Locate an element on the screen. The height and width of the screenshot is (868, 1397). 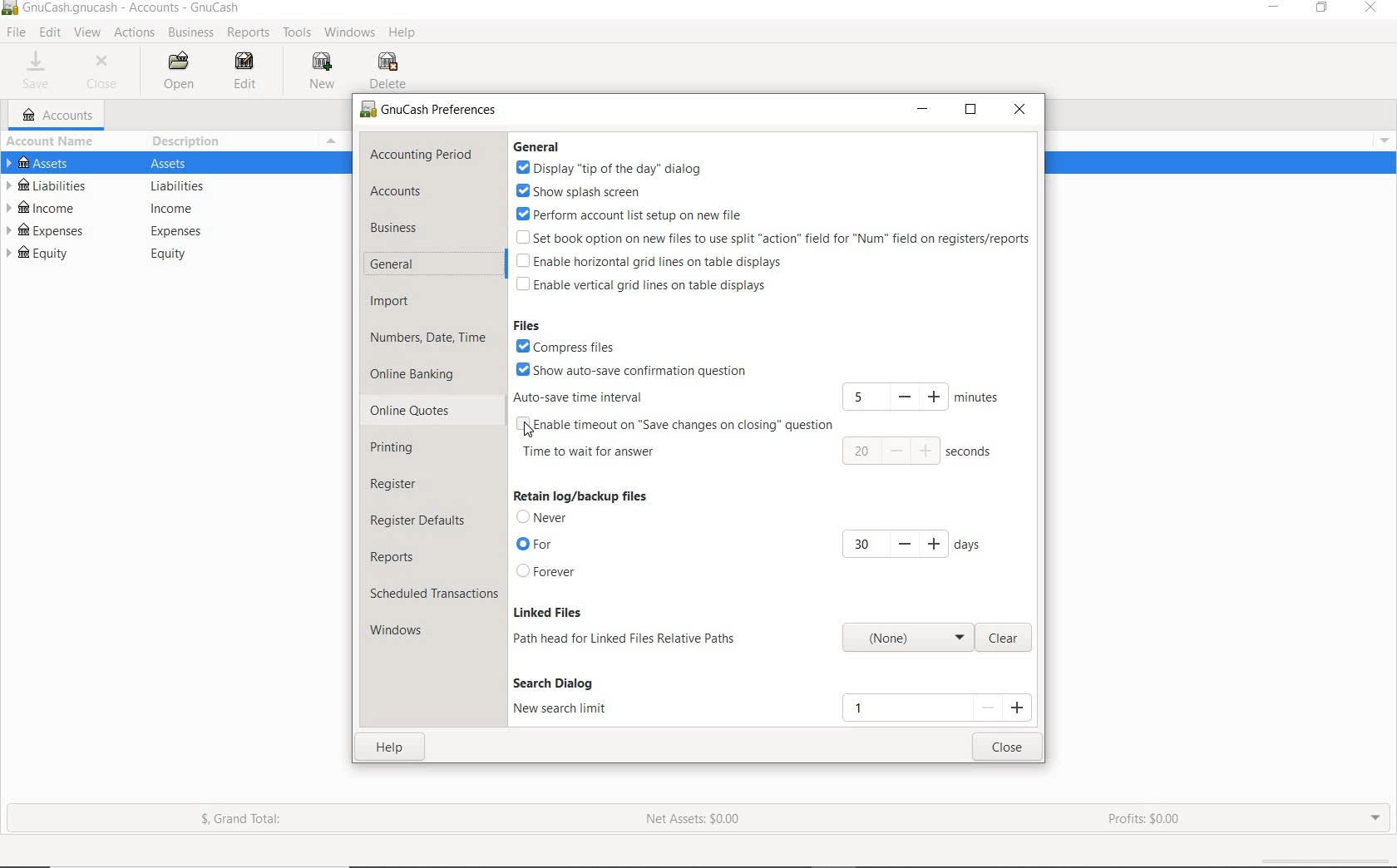
EXPENSES is located at coordinates (171, 230).